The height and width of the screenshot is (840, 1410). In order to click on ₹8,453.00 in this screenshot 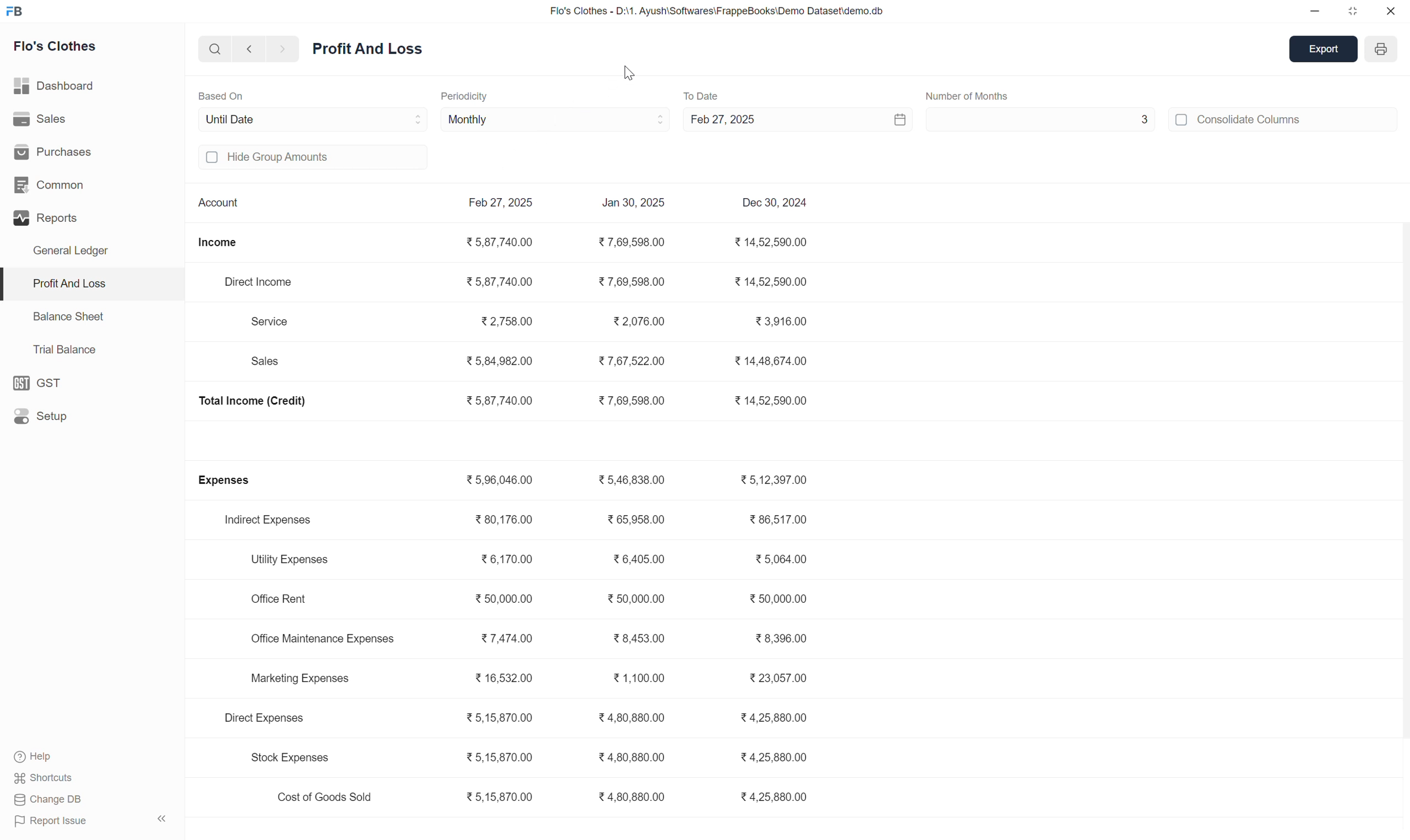, I will do `click(642, 638)`.